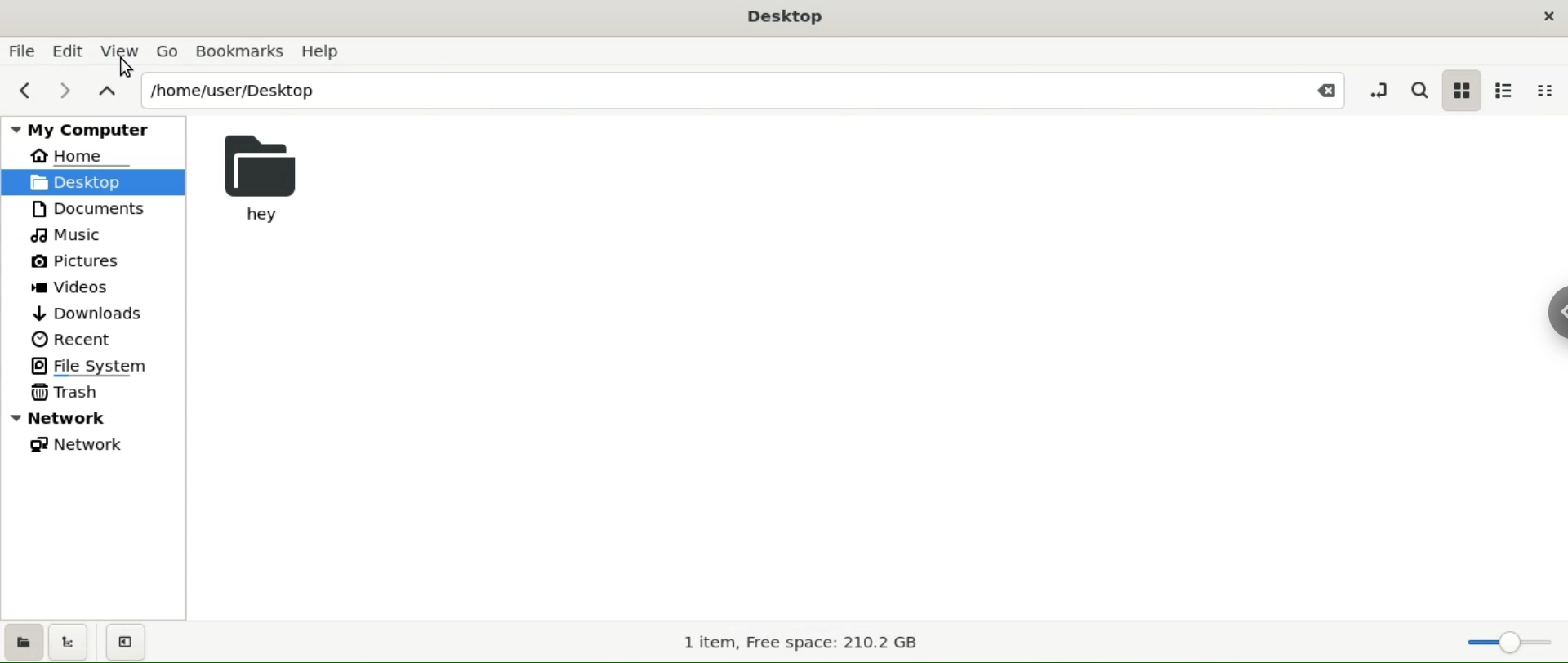 This screenshot has width=1568, height=663. What do you see at coordinates (67, 392) in the screenshot?
I see `trash` at bounding box center [67, 392].